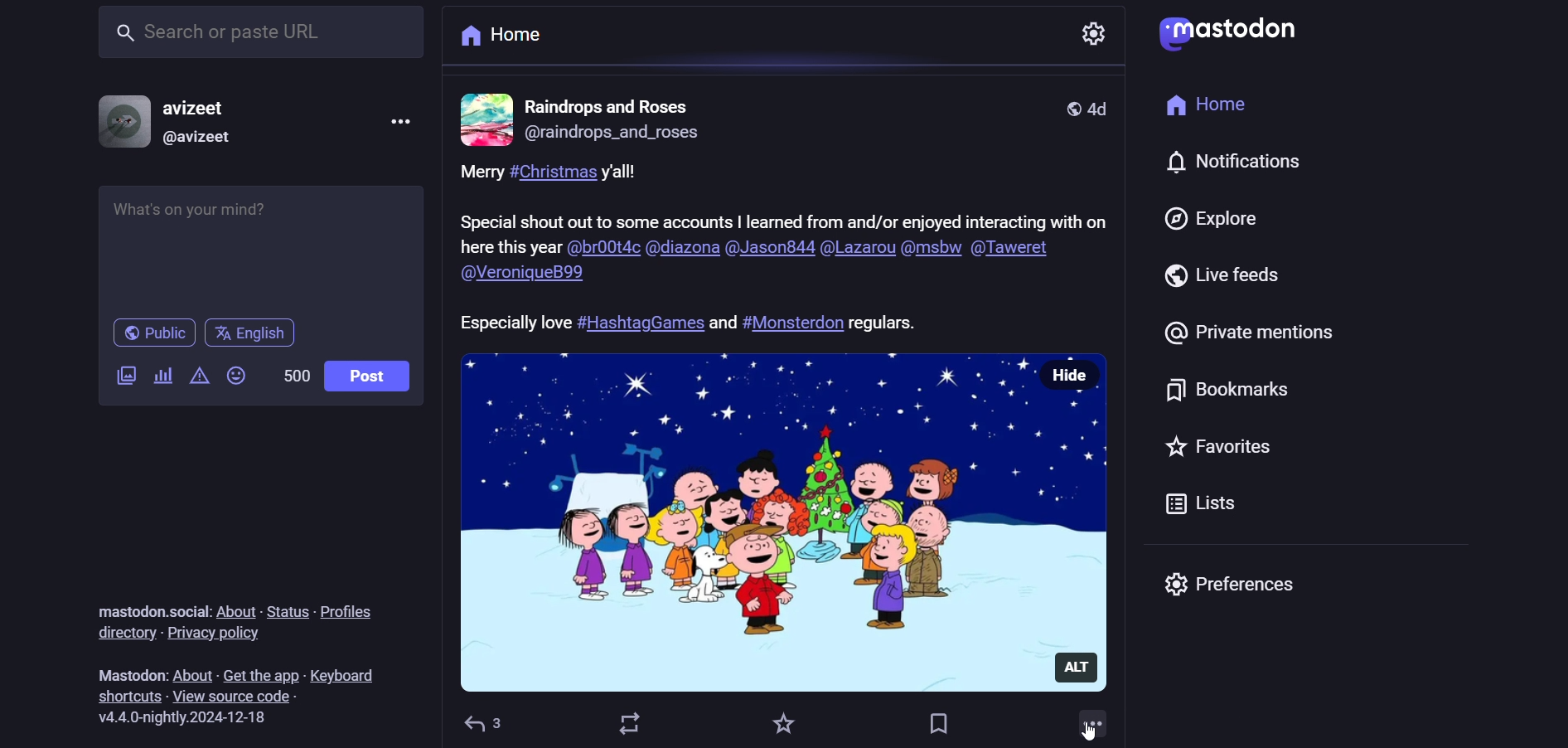  Describe the element at coordinates (1091, 725) in the screenshot. I see `more` at that location.